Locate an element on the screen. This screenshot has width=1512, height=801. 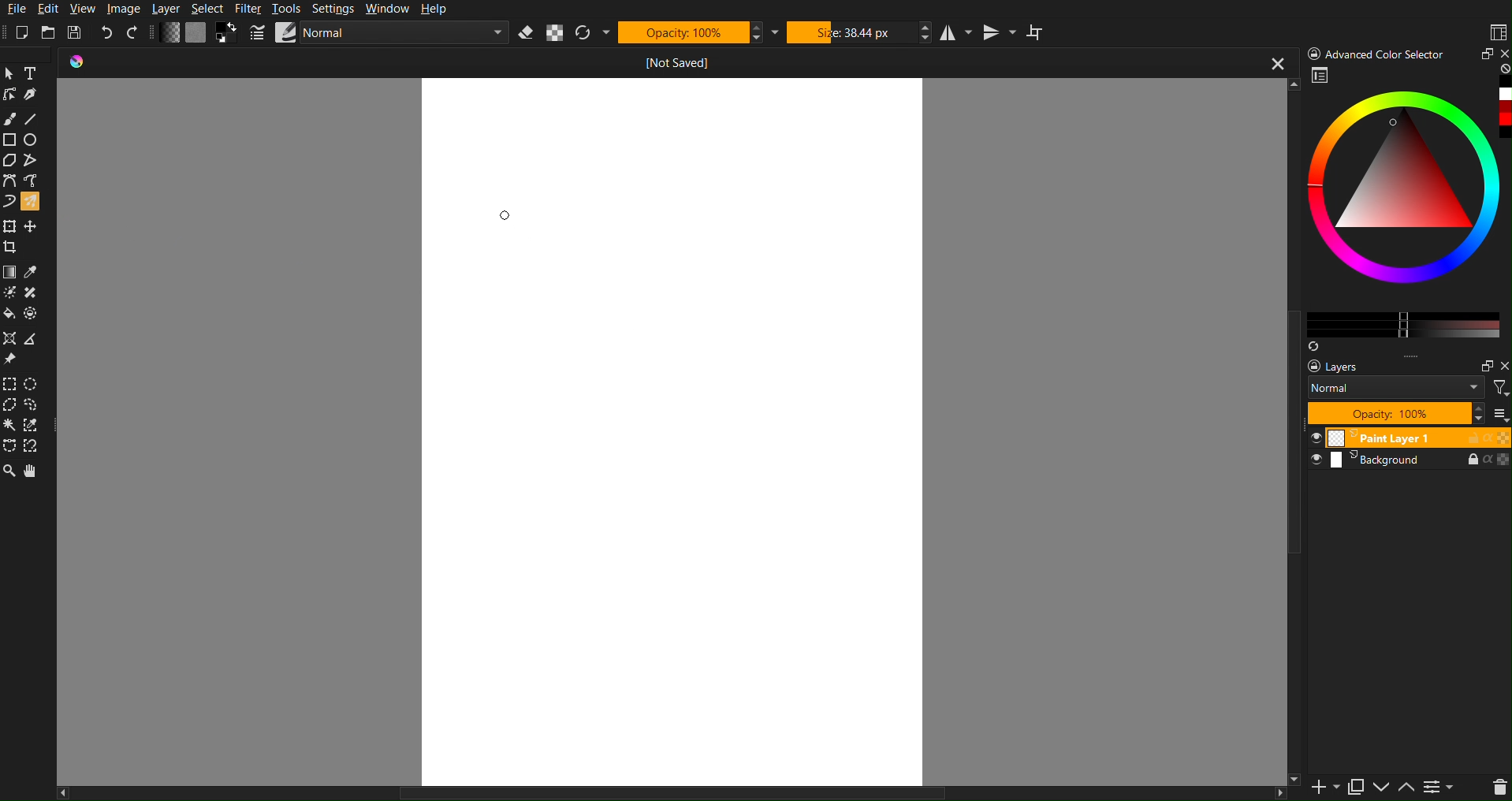
Advanced Color Selector is located at coordinates (1378, 53).